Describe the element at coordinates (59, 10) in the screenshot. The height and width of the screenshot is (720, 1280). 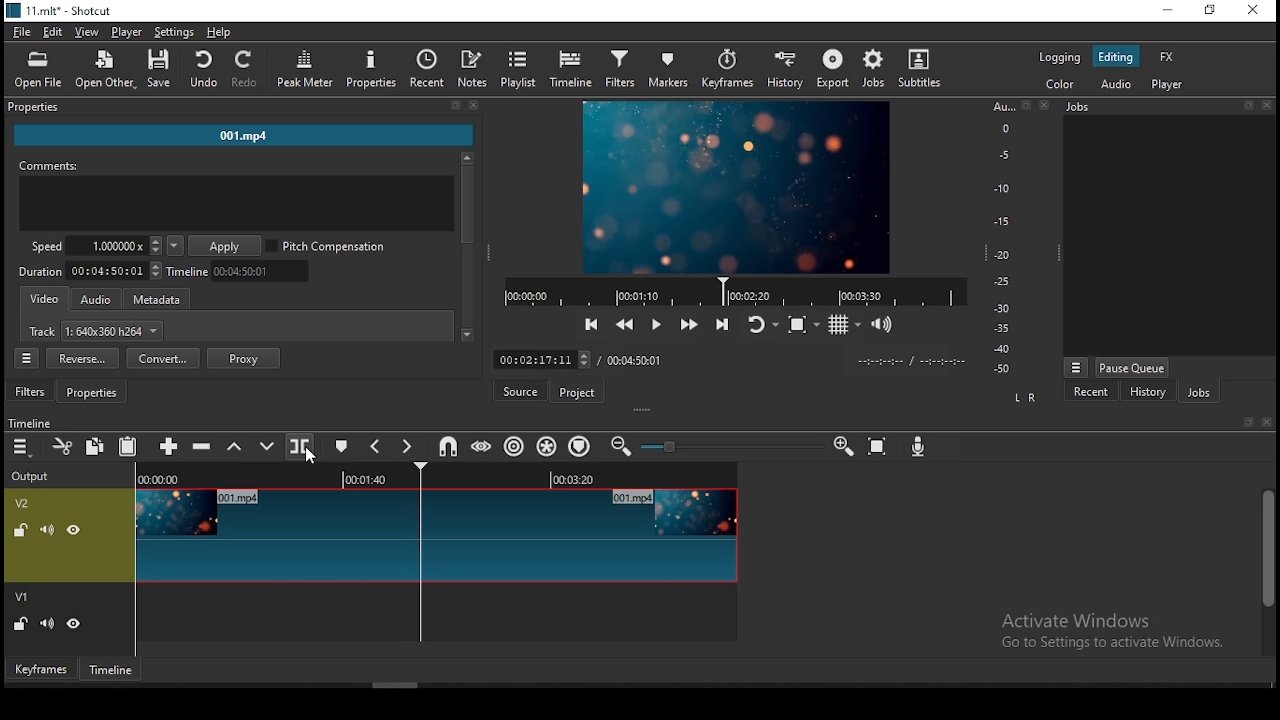
I see `11.mlt* . Shotcut` at that location.